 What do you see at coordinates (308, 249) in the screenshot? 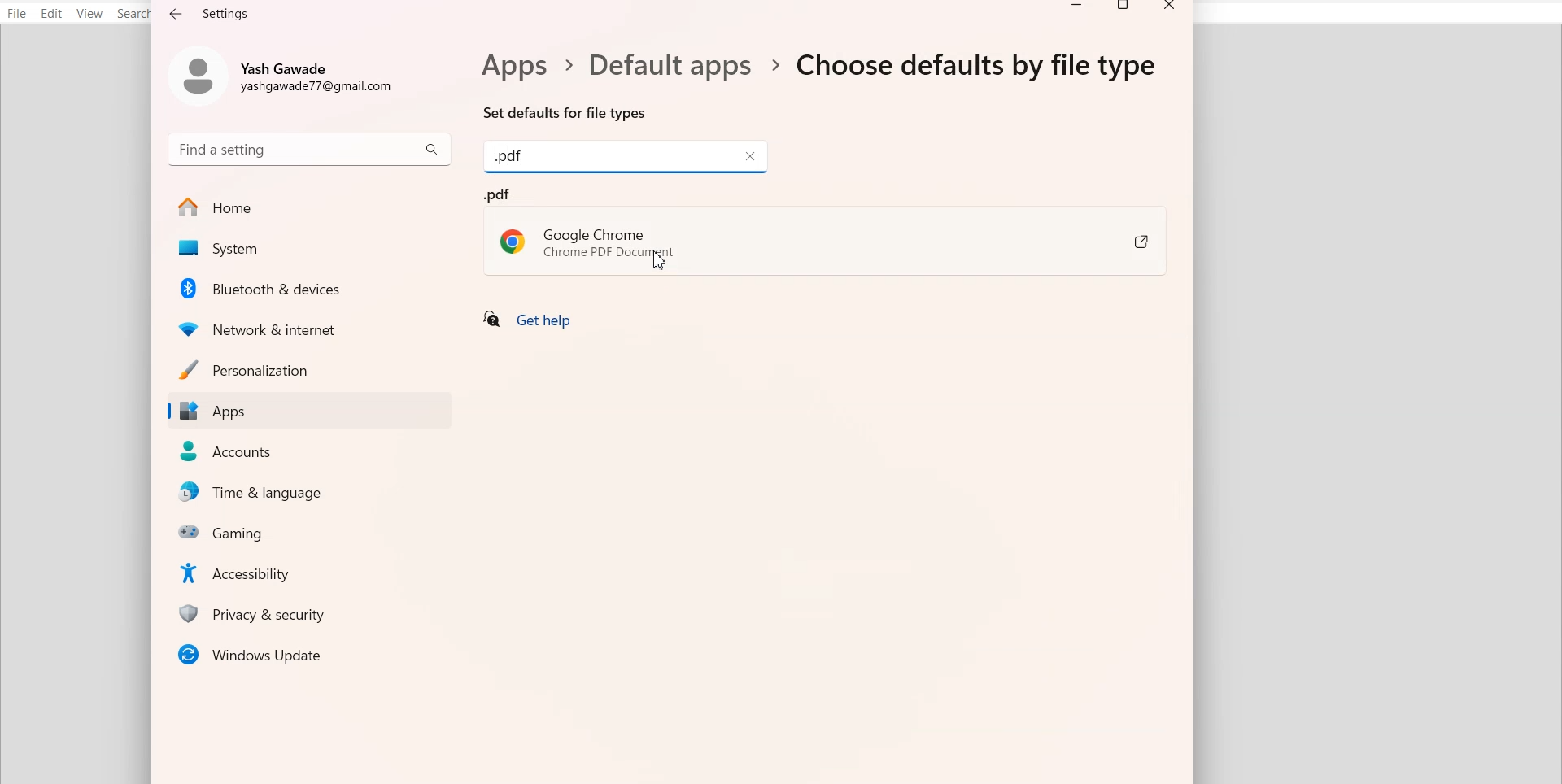
I see `System` at bounding box center [308, 249].